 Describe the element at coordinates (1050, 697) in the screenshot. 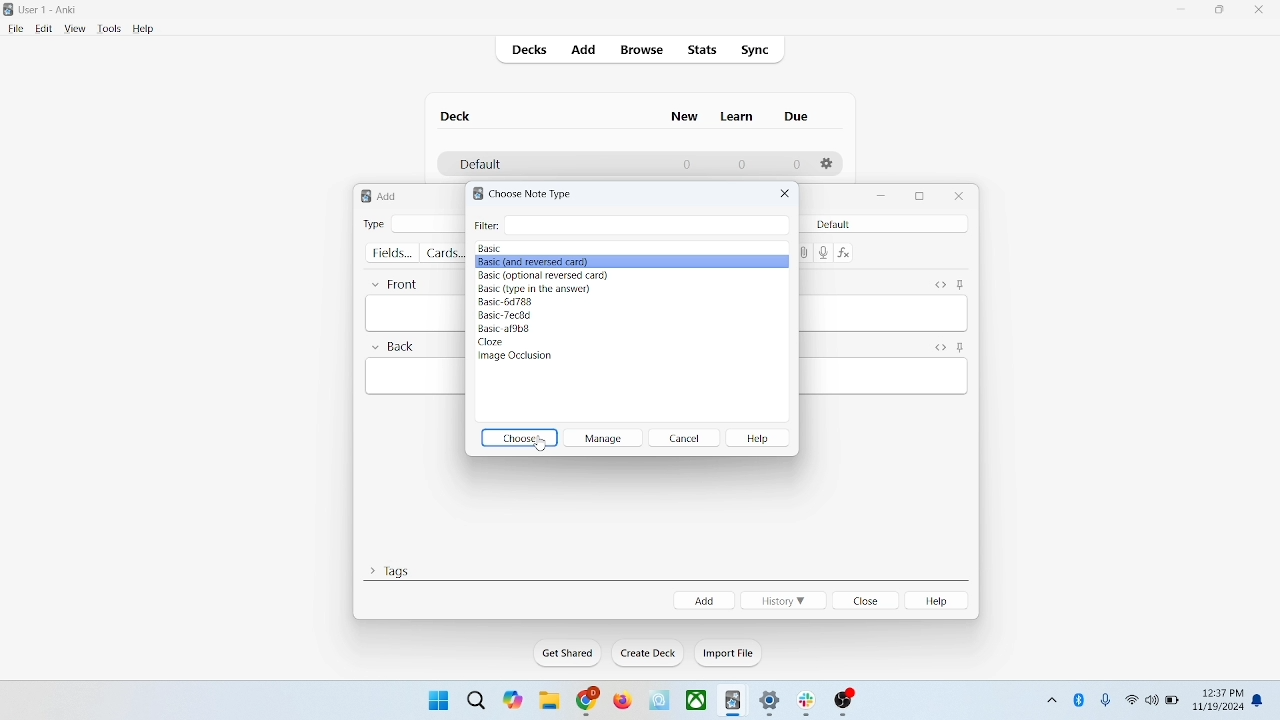

I see `show hidden icons` at that location.